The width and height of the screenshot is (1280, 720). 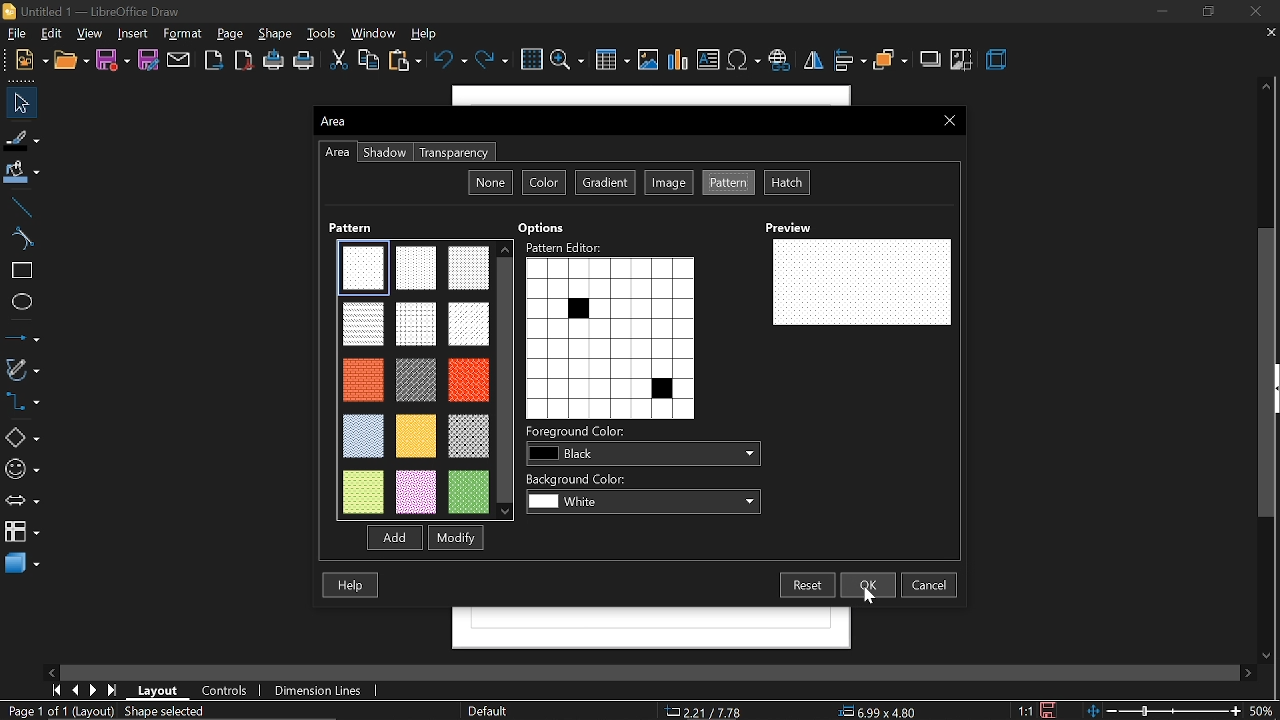 I want to click on save, so click(x=112, y=59).